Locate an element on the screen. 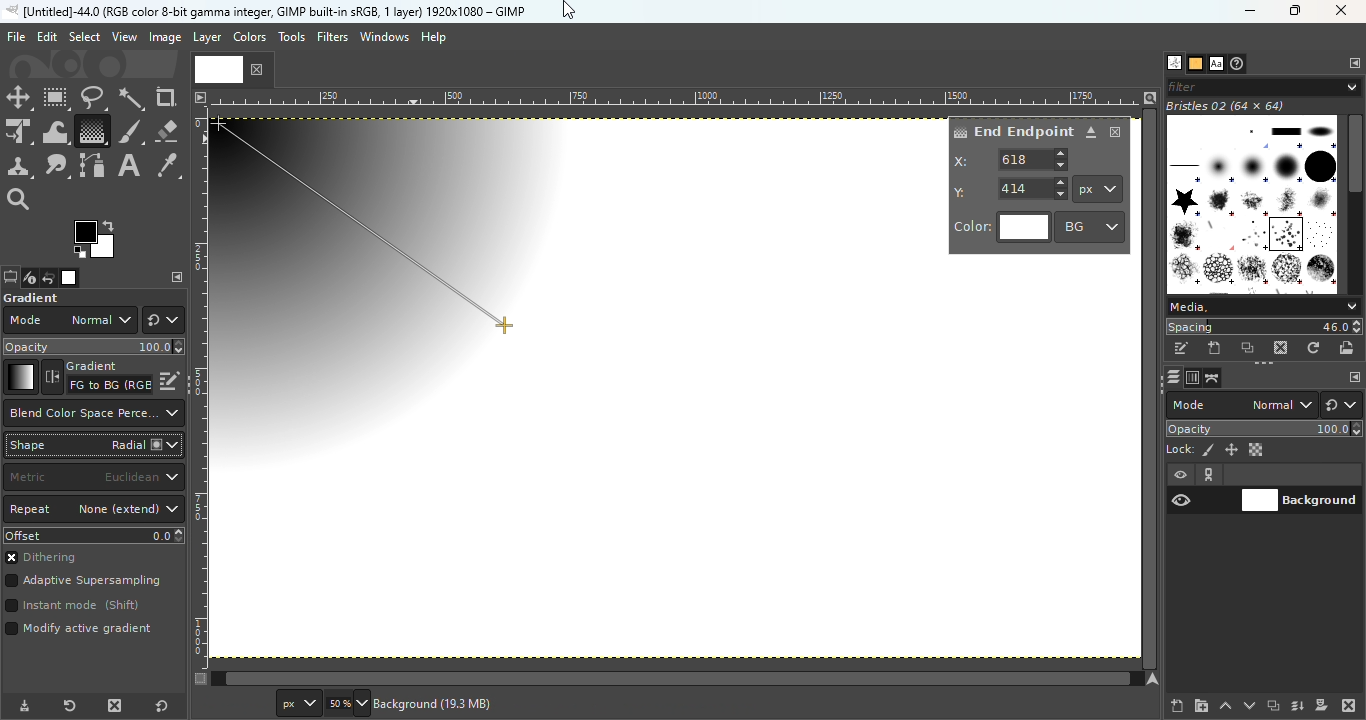 The image size is (1366, 720). Tools is located at coordinates (294, 42).